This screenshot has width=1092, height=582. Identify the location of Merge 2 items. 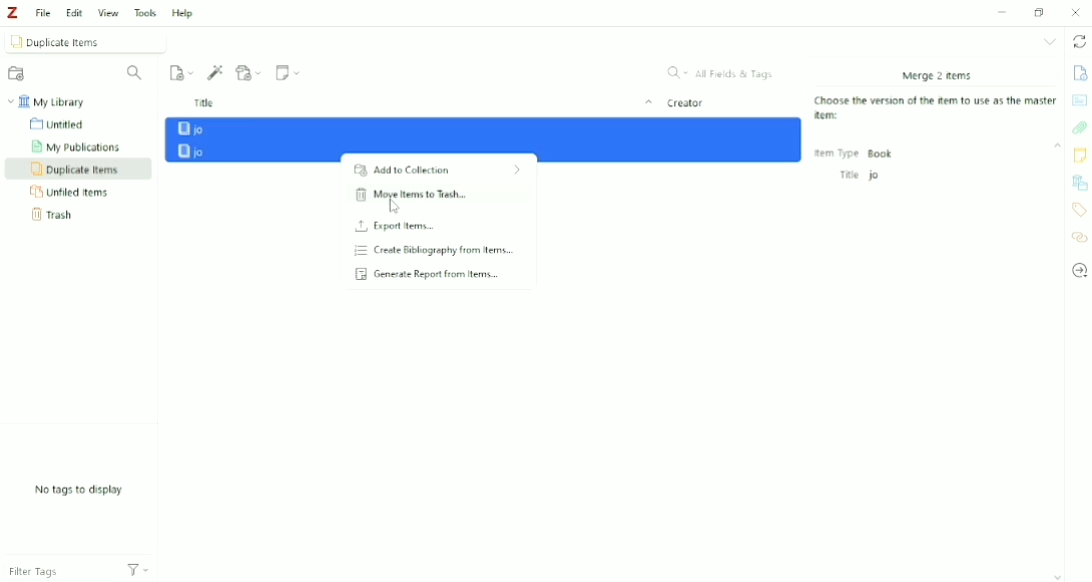
(936, 75).